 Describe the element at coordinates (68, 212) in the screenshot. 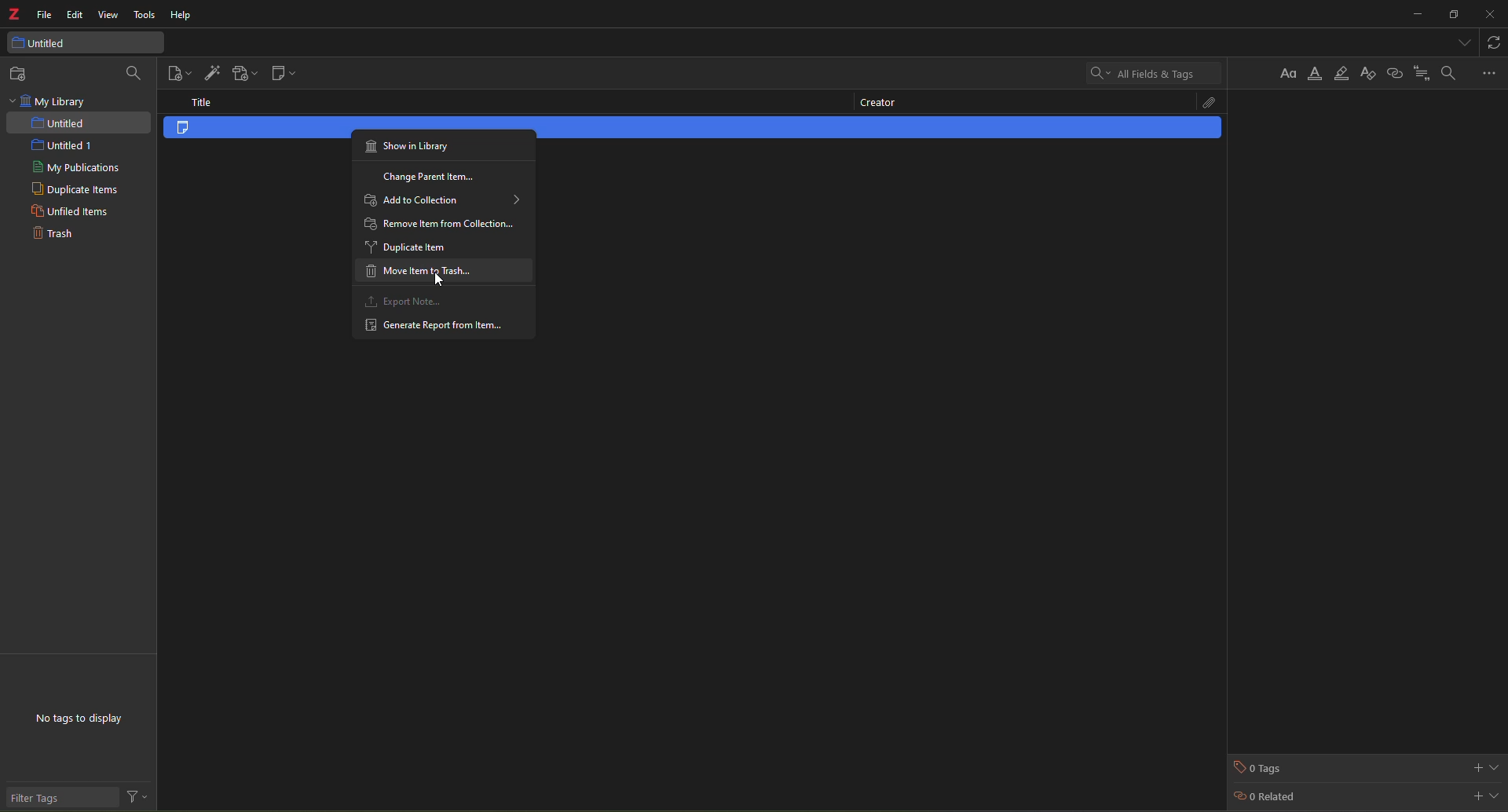

I see `unfiled items` at that location.